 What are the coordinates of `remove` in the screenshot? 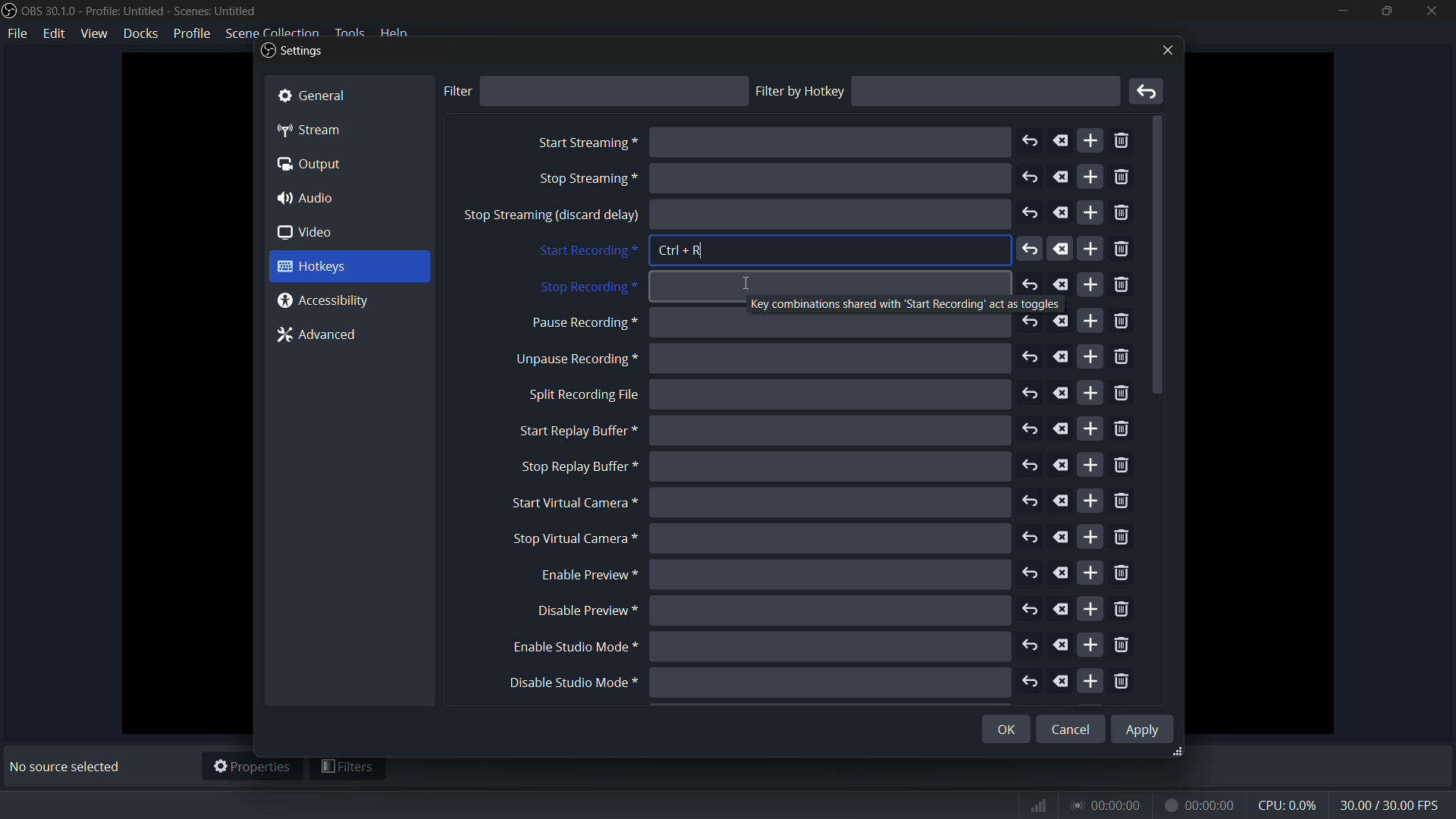 It's located at (1123, 610).